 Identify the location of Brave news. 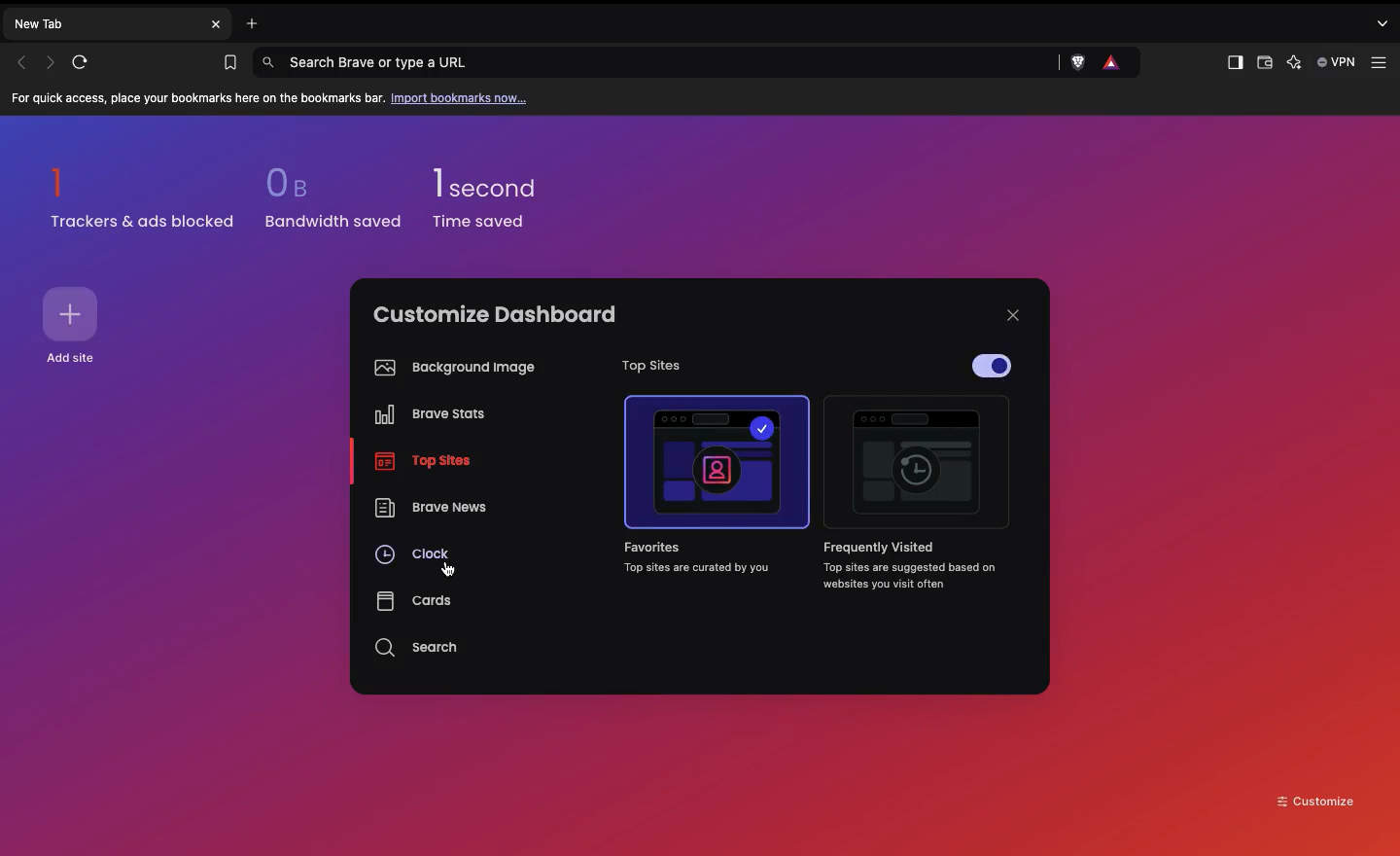
(429, 510).